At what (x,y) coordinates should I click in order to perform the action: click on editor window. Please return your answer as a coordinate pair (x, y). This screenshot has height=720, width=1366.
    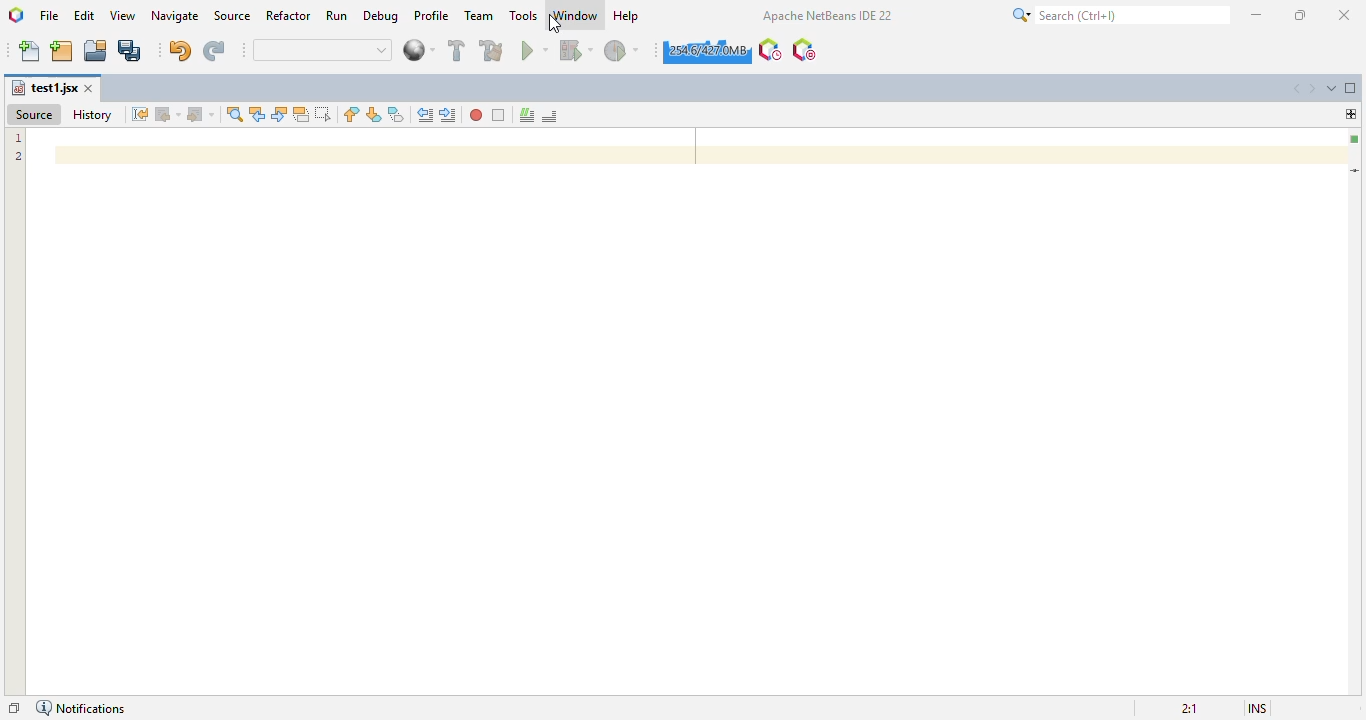
    Looking at the image, I should click on (678, 412).